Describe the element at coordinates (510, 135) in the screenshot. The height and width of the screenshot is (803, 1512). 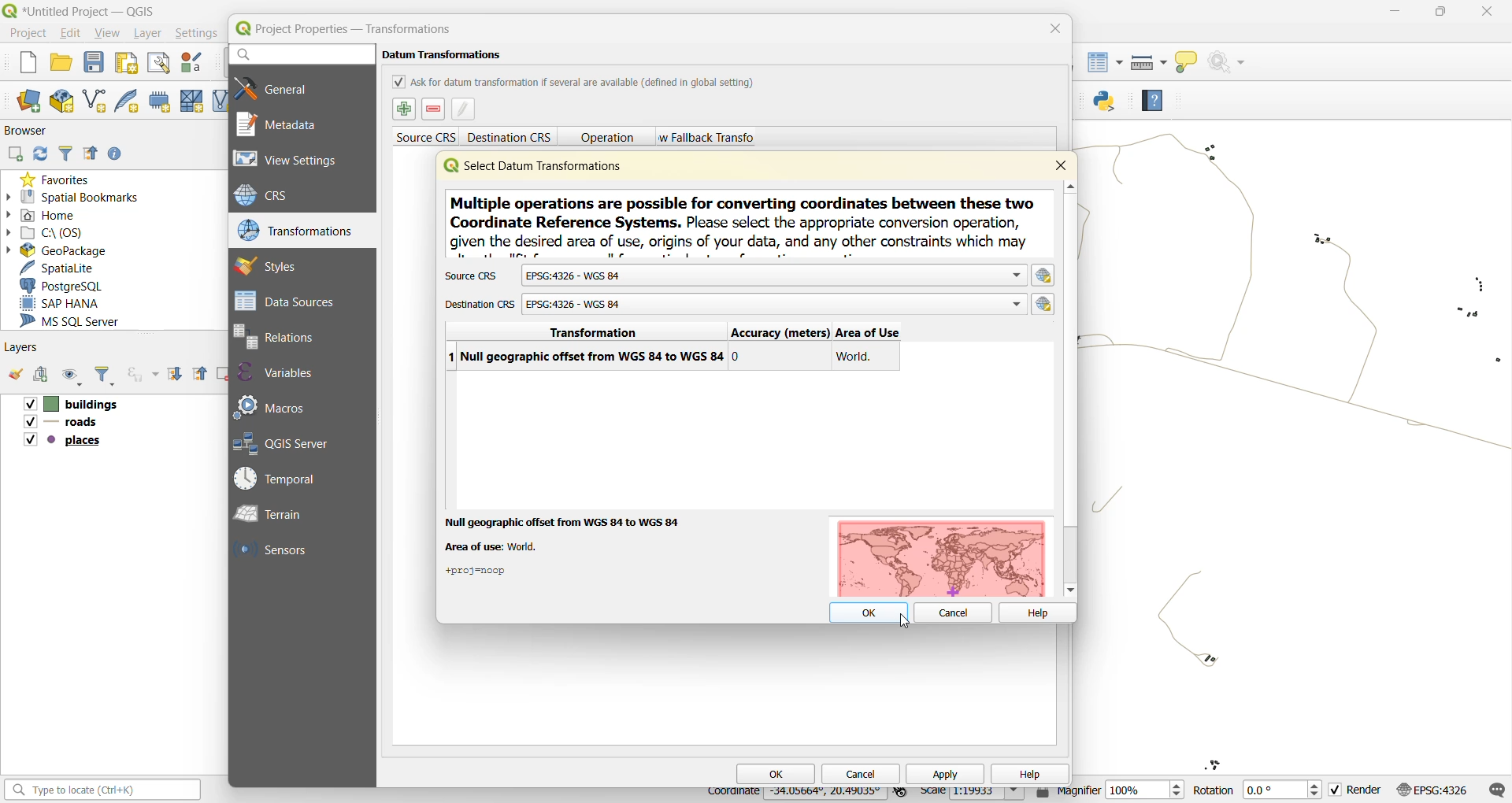
I see `destination crs` at that location.